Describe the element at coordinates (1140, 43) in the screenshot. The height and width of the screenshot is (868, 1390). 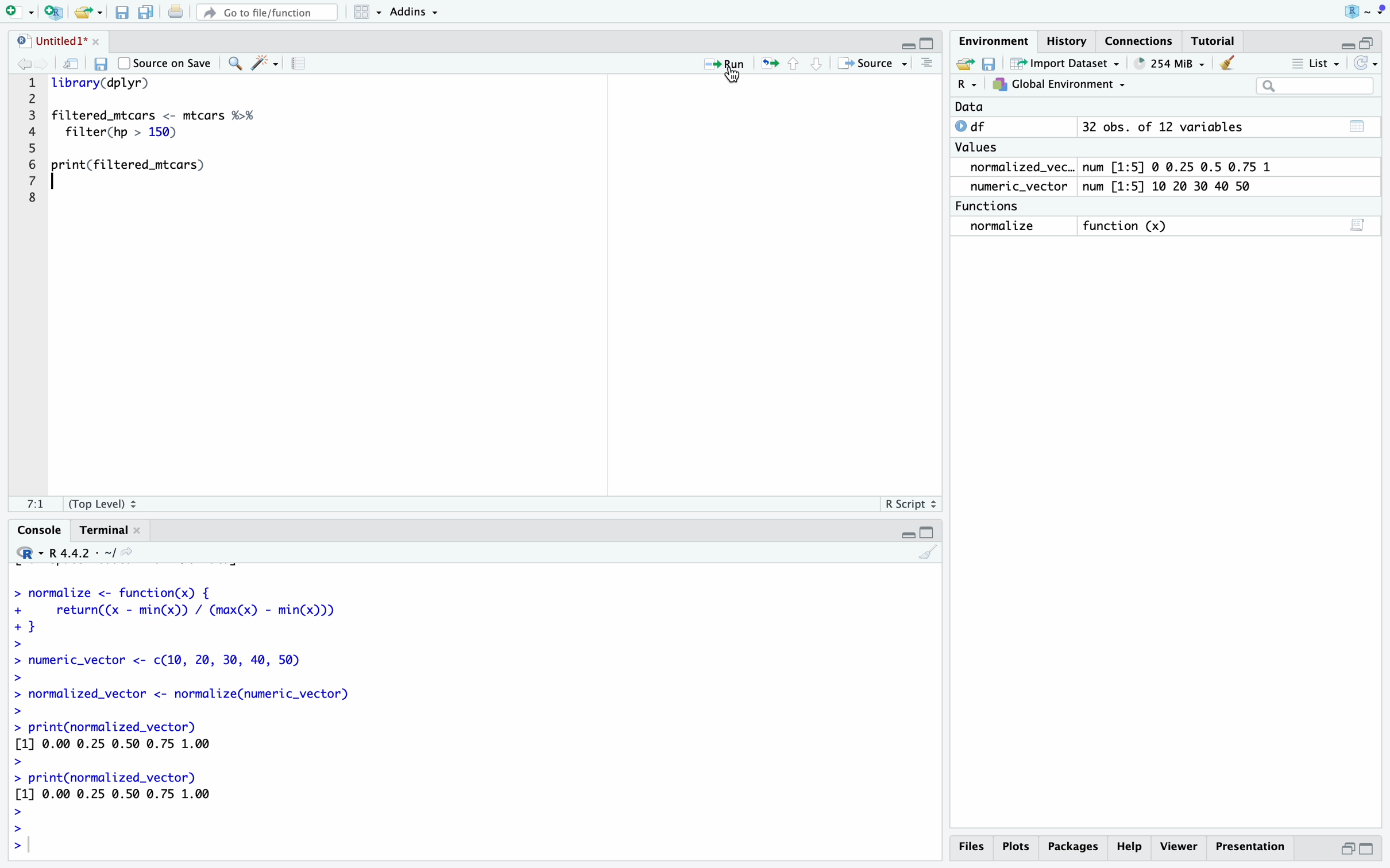
I see `Connections` at that location.